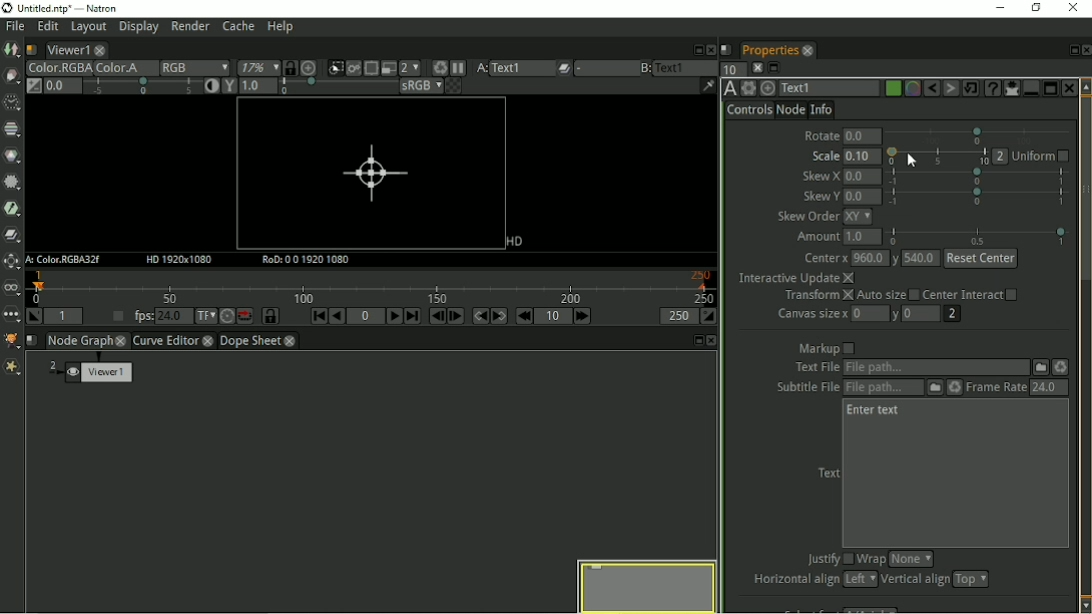 The height and width of the screenshot is (614, 1092). I want to click on Next keyframe, so click(498, 316).